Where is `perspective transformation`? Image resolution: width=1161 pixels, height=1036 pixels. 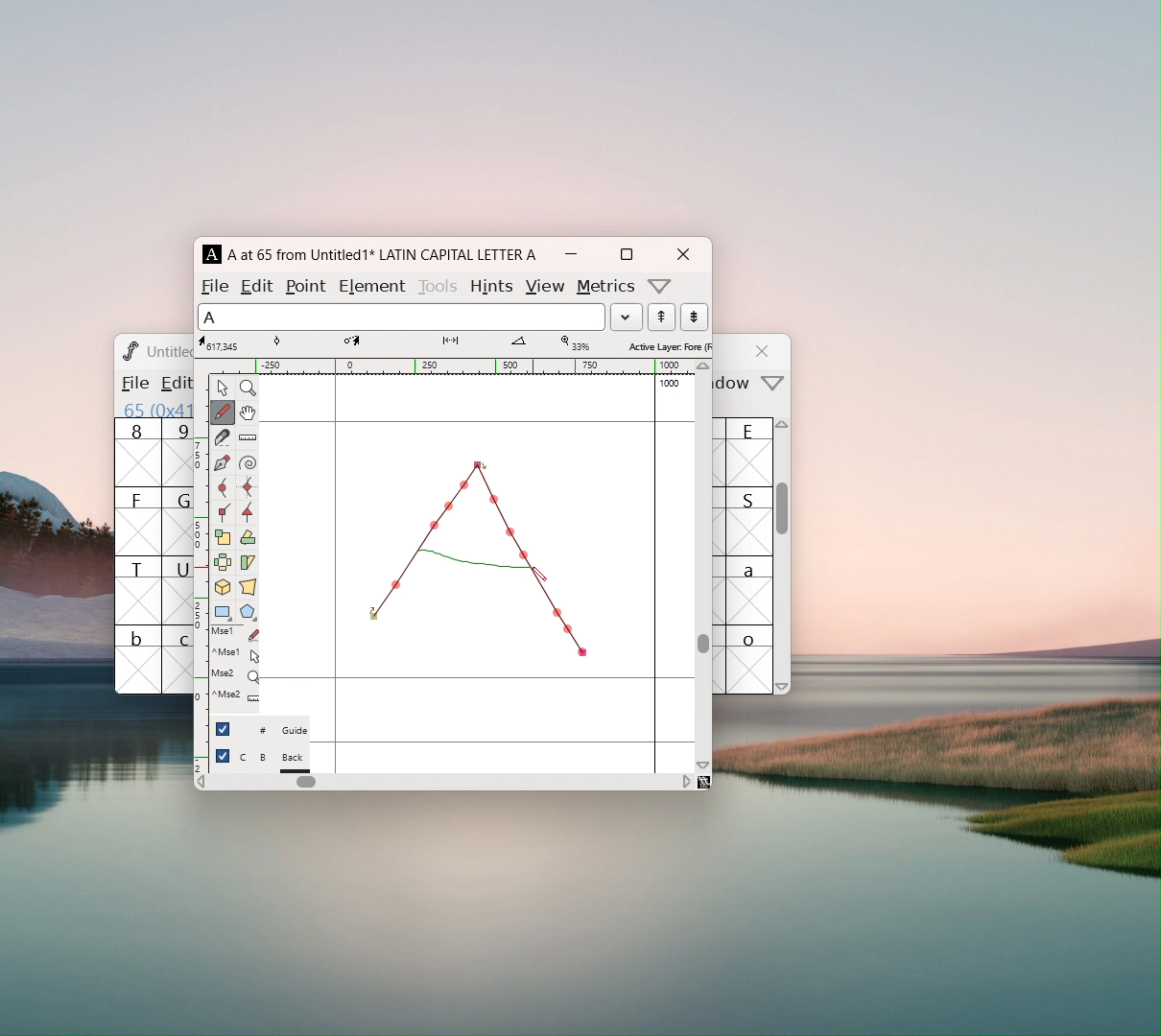
perspective transformation is located at coordinates (248, 589).